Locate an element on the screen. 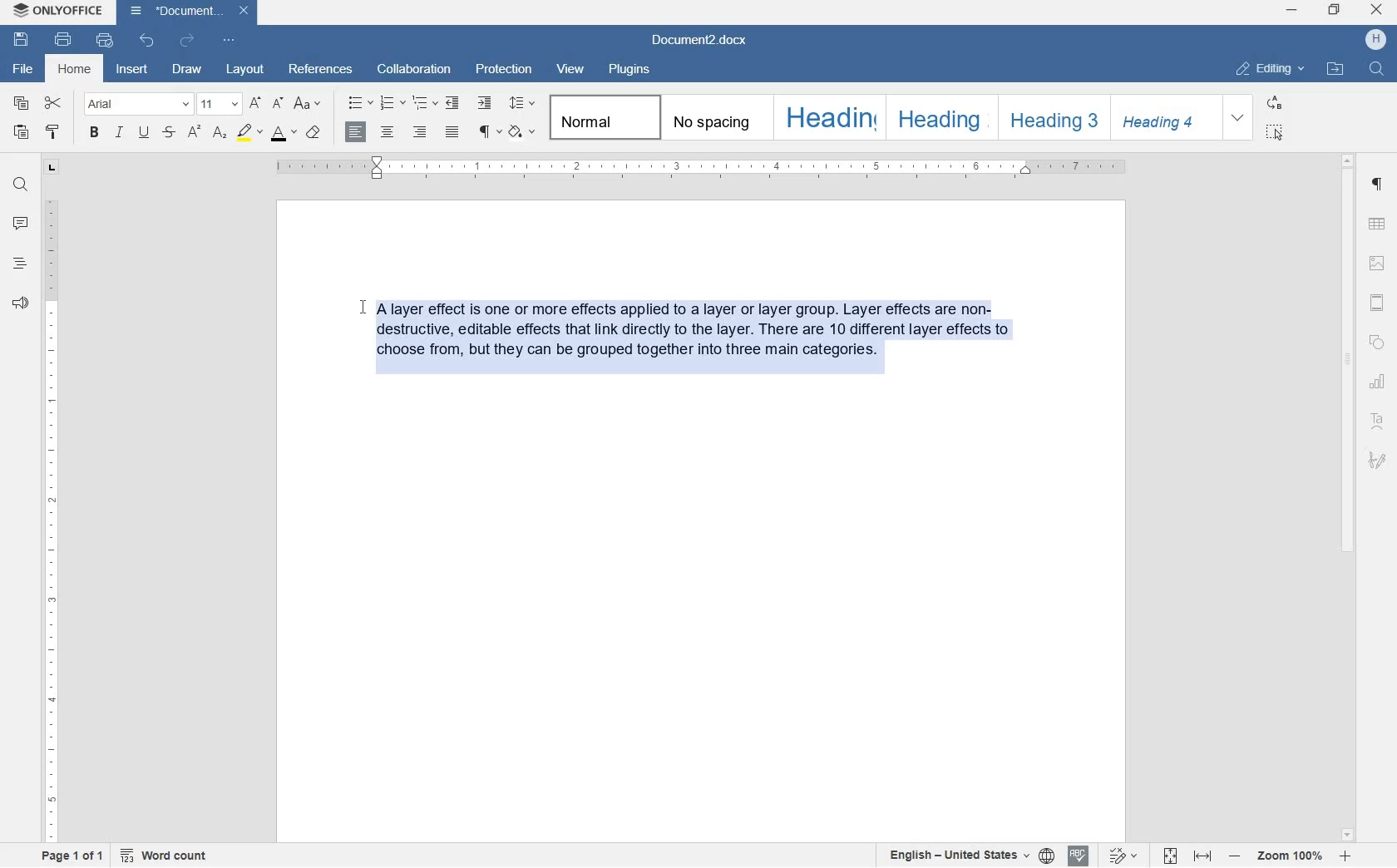 The width and height of the screenshot is (1397, 868). paragraph settings is located at coordinates (1379, 188).